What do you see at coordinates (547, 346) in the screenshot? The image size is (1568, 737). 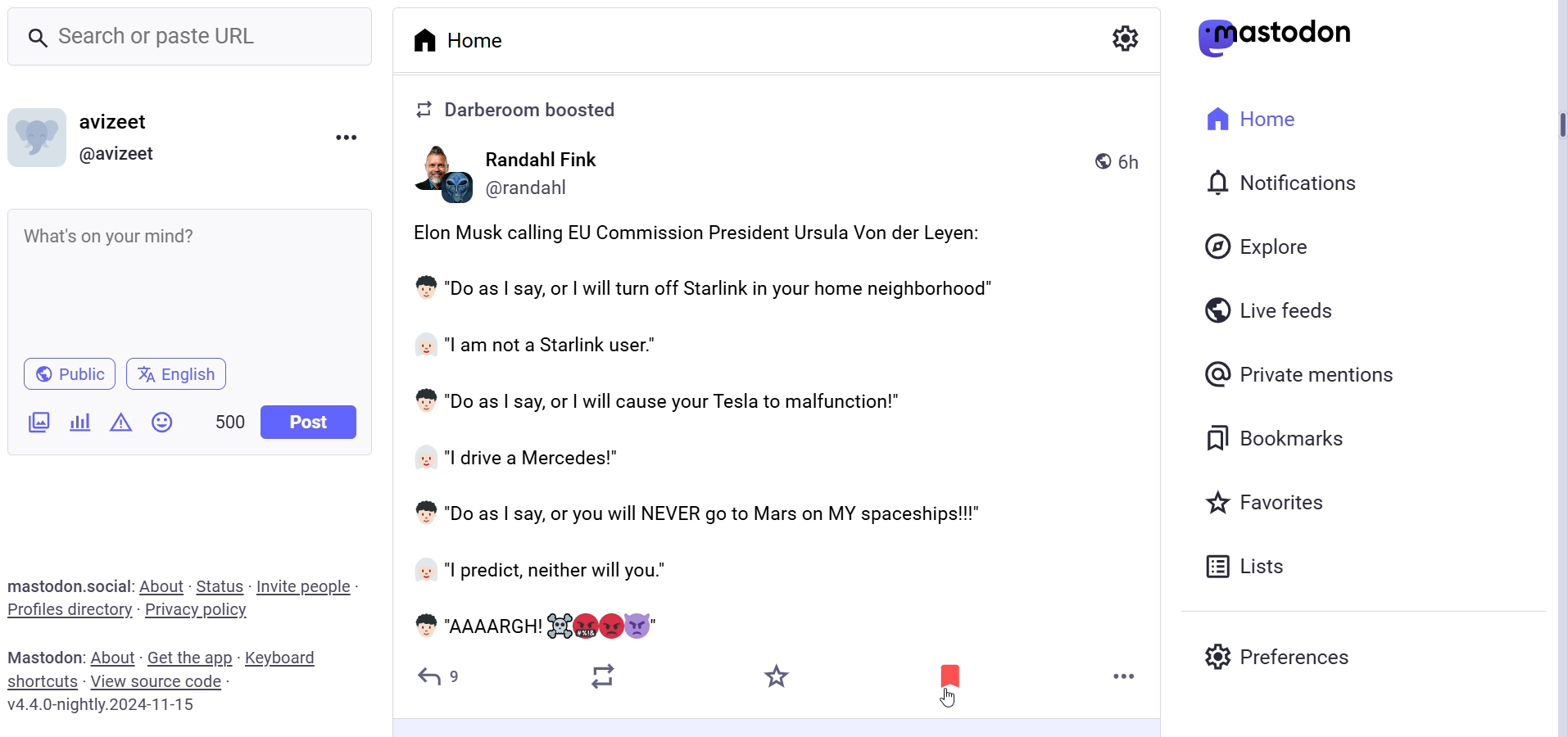 I see `“l am not a Starlink user."` at bounding box center [547, 346].